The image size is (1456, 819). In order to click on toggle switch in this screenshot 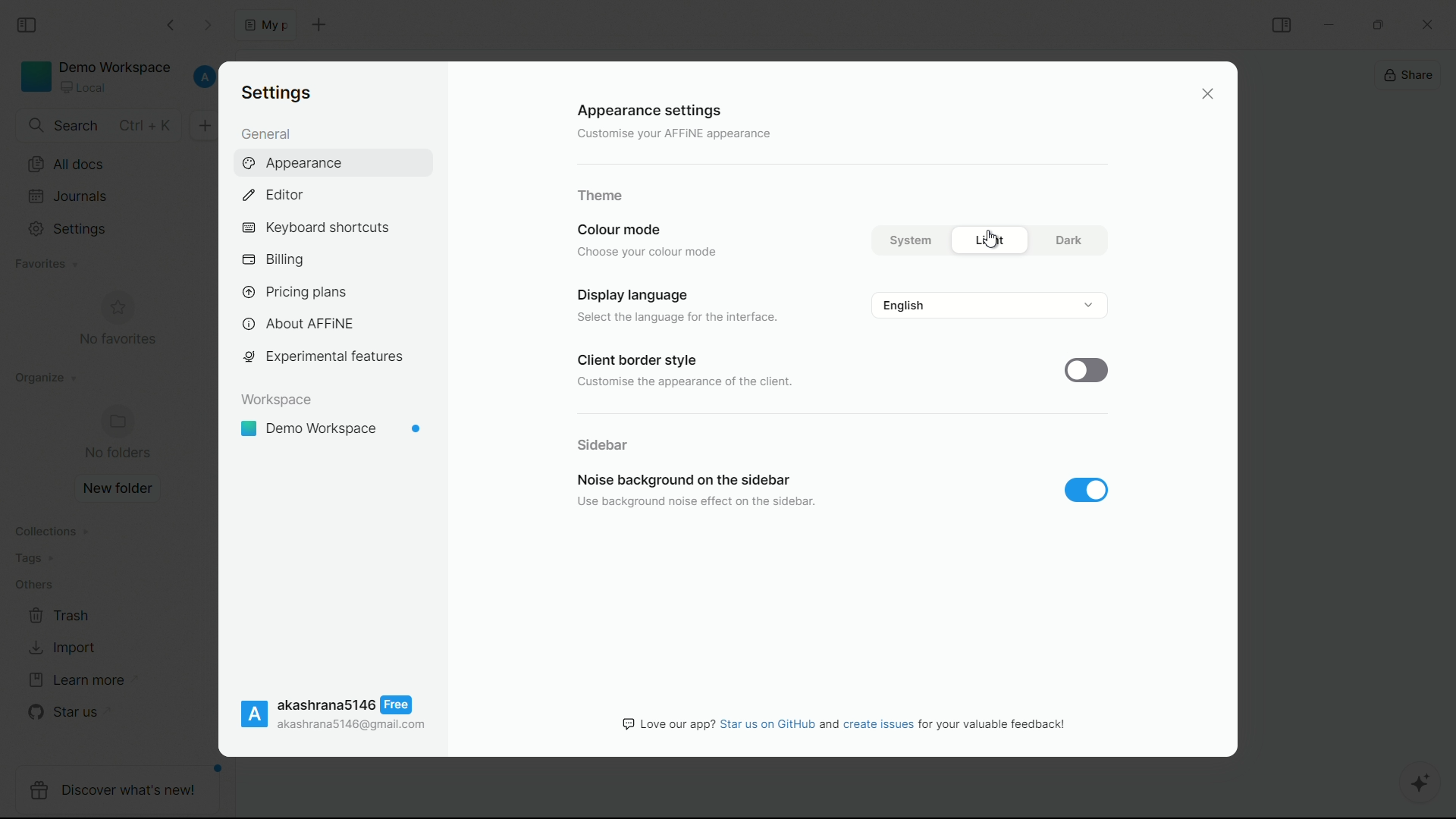, I will do `click(1090, 369)`.